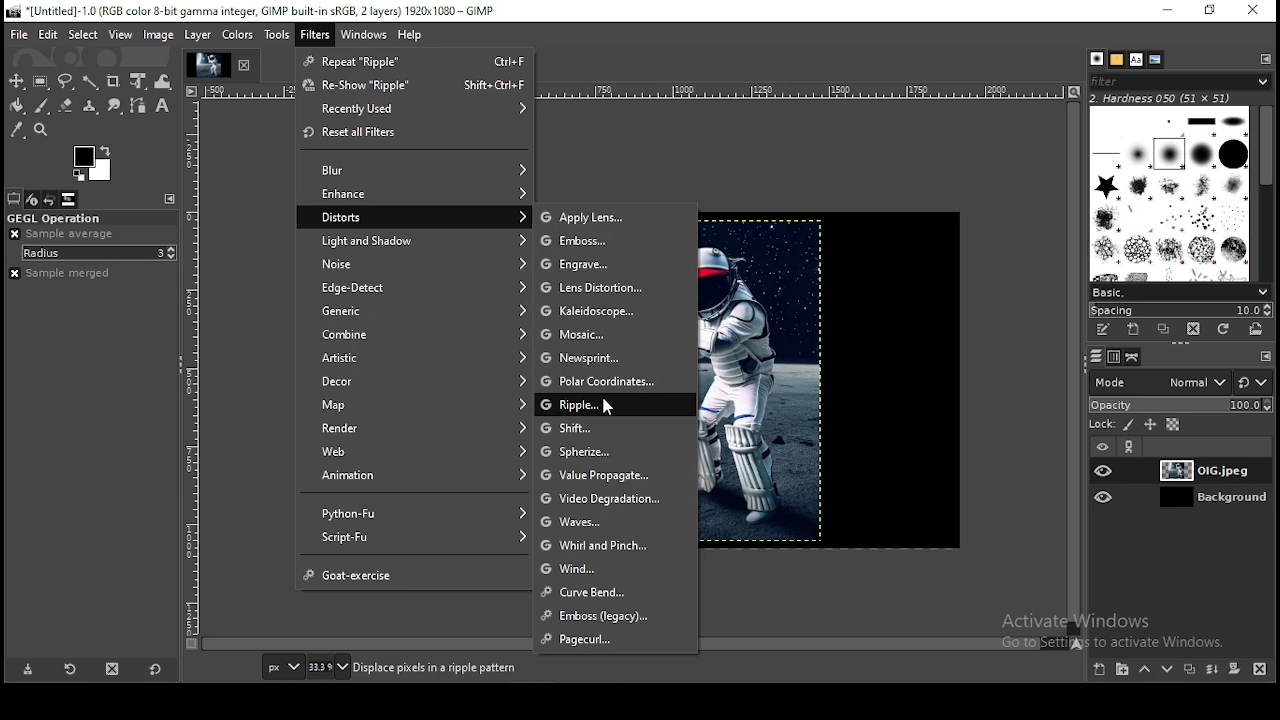 This screenshot has height=720, width=1280. What do you see at coordinates (1160, 382) in the screenshot?
I see `layer mode` at bounding box center [1160, 382].